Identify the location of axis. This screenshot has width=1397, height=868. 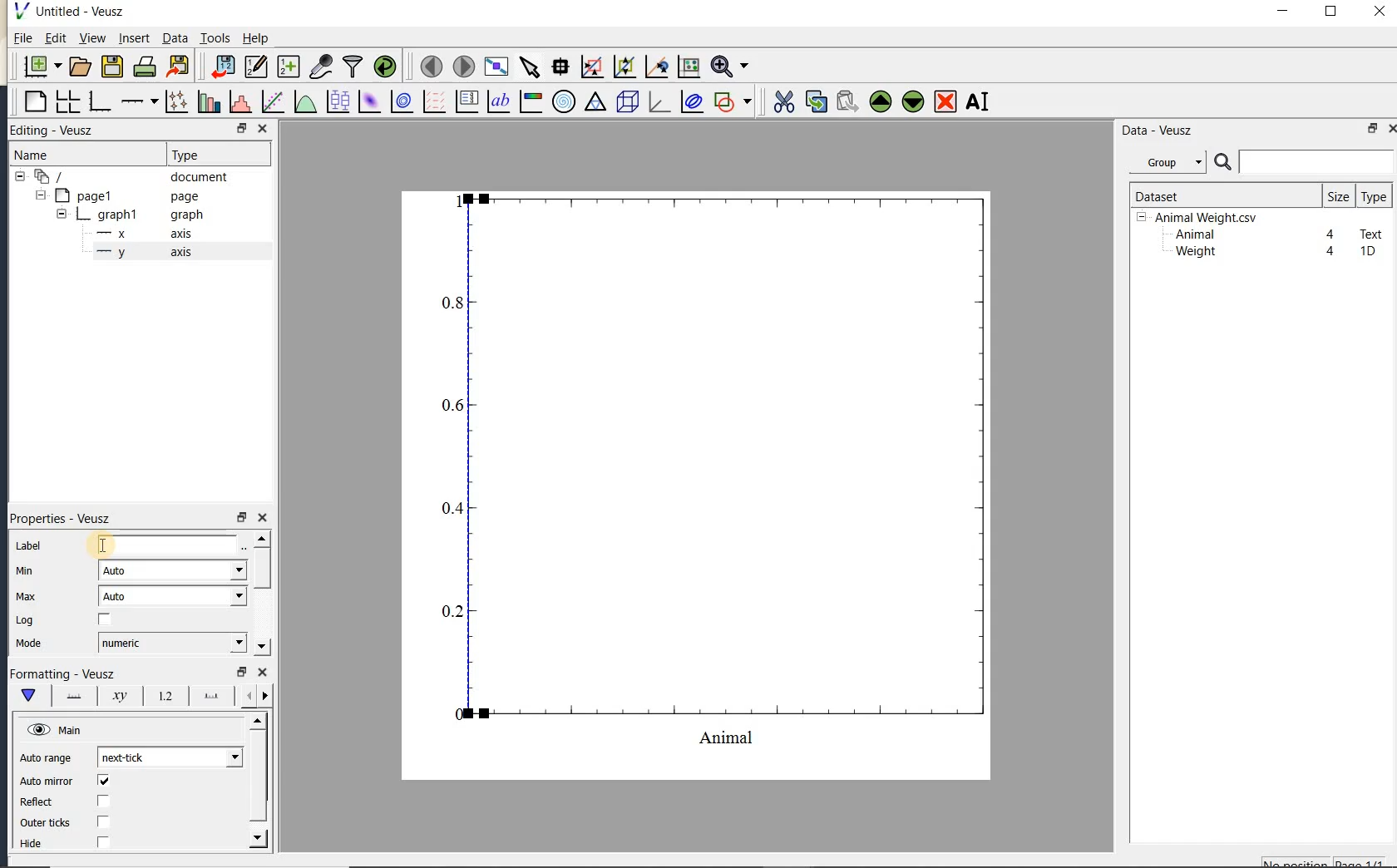
(141, 253).